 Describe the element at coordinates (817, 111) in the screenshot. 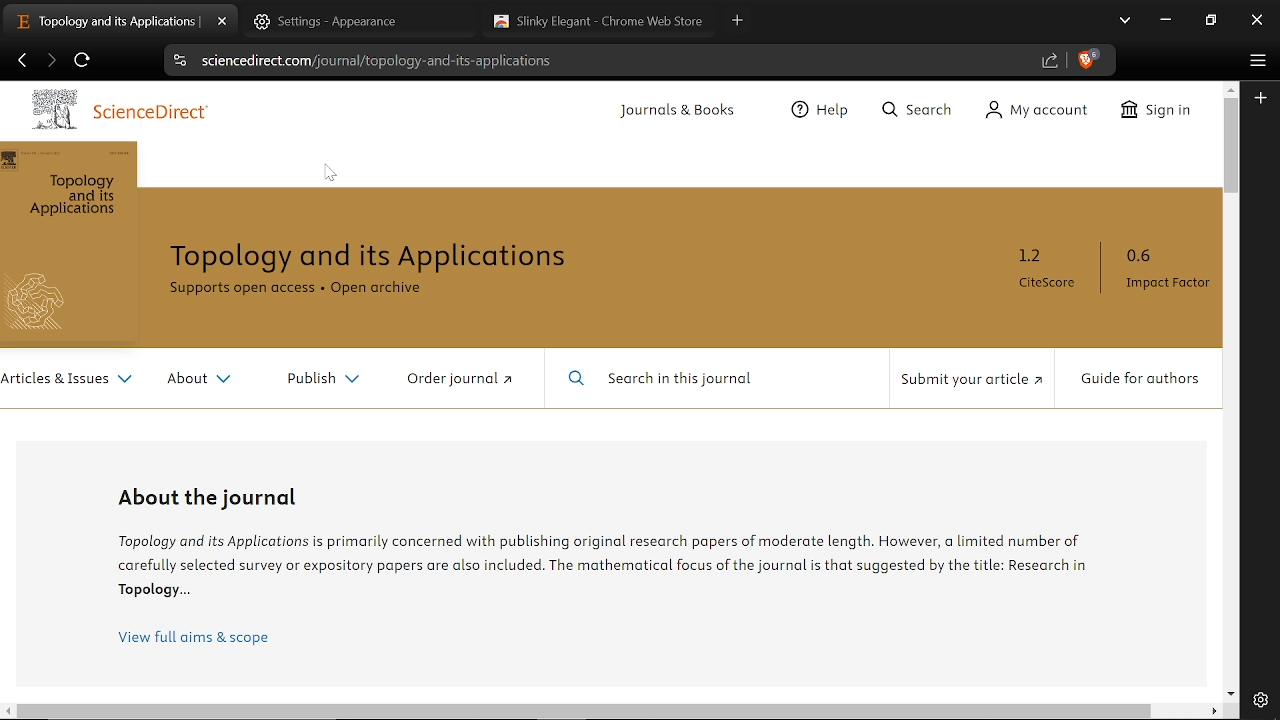

I see `Help` at that location.